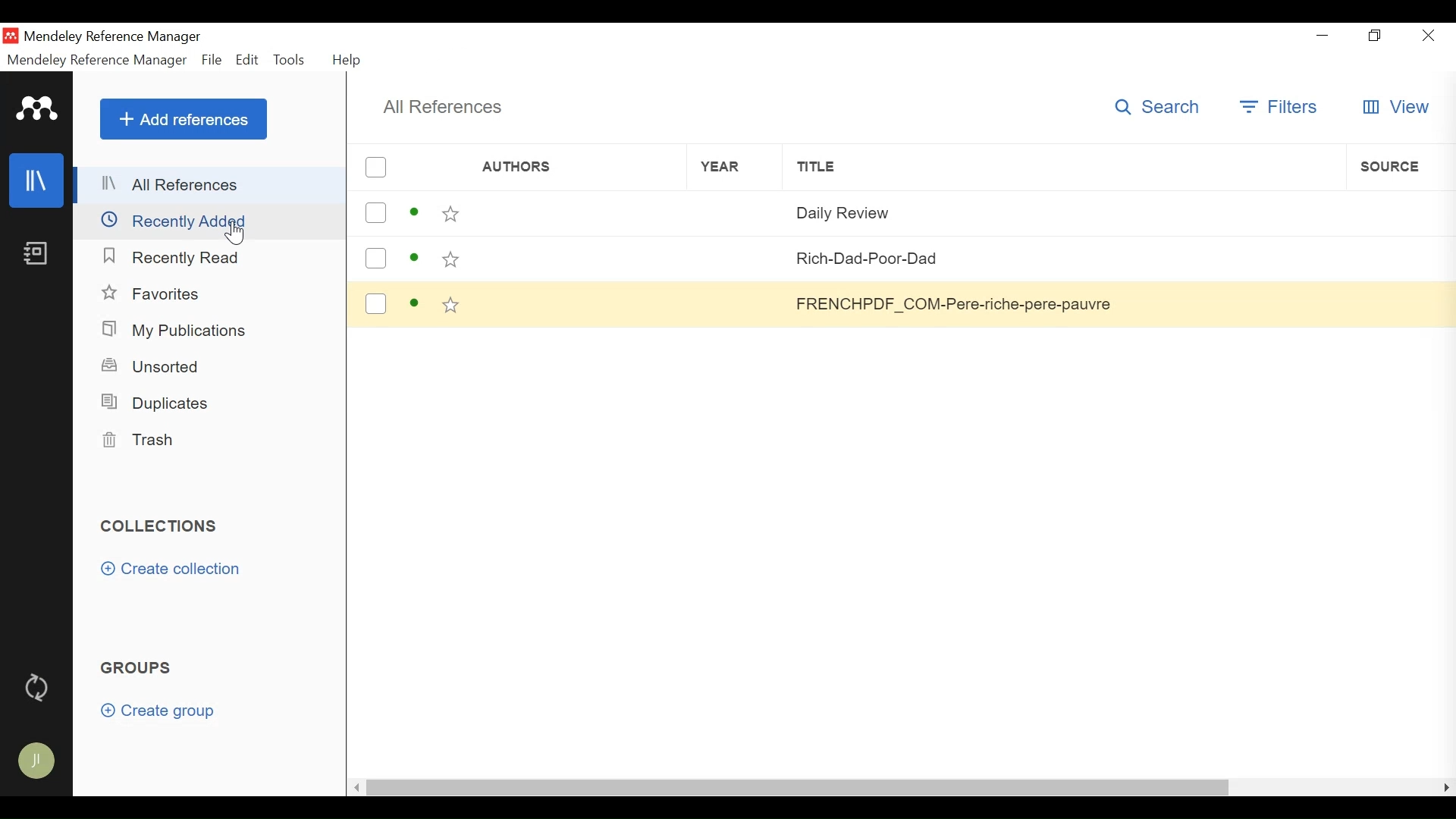 The width and height of the screenshot is (1456, 819). I want to click on (un)select Favorite, so click(450, 261).